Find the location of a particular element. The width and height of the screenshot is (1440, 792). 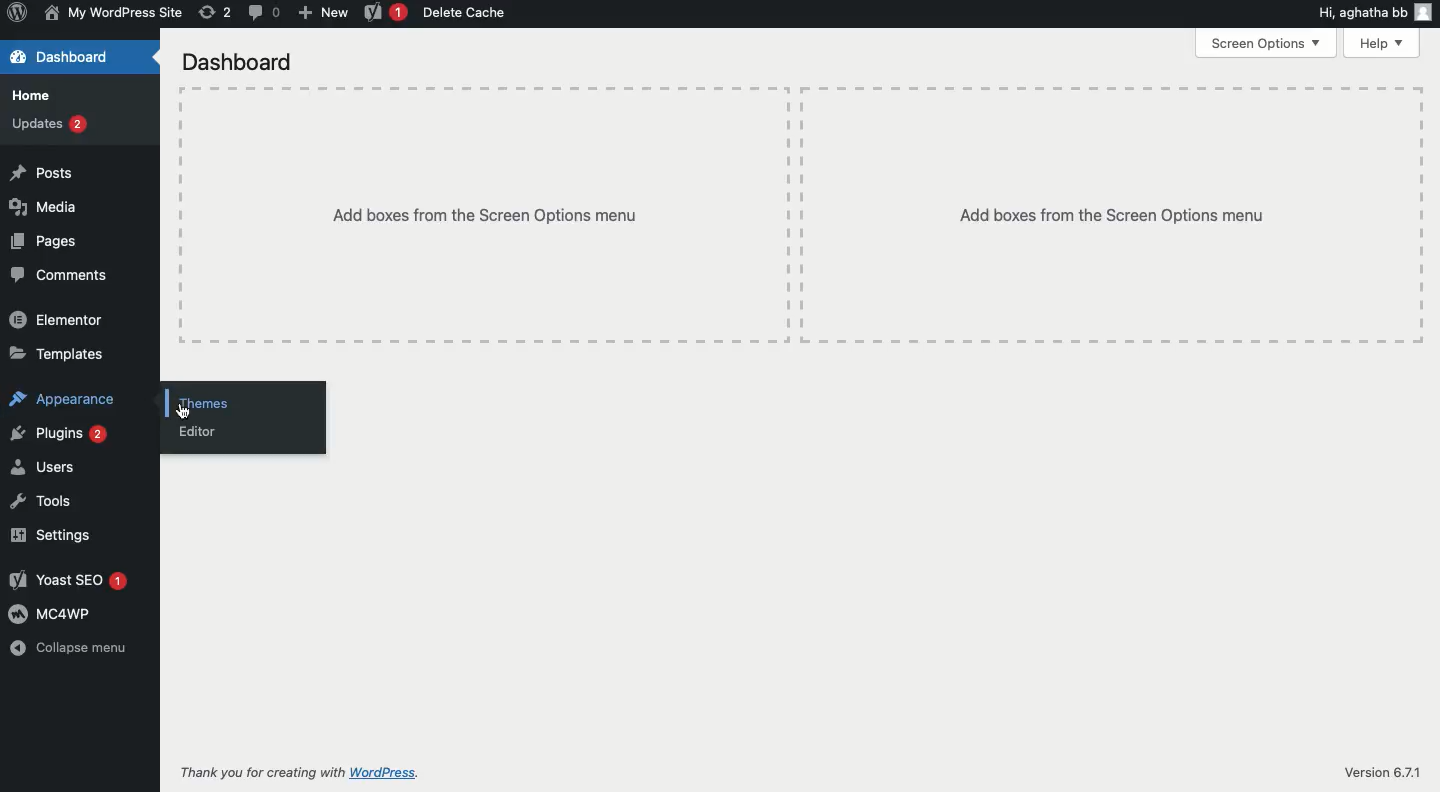

Themes is located at coordinates (197, 403).